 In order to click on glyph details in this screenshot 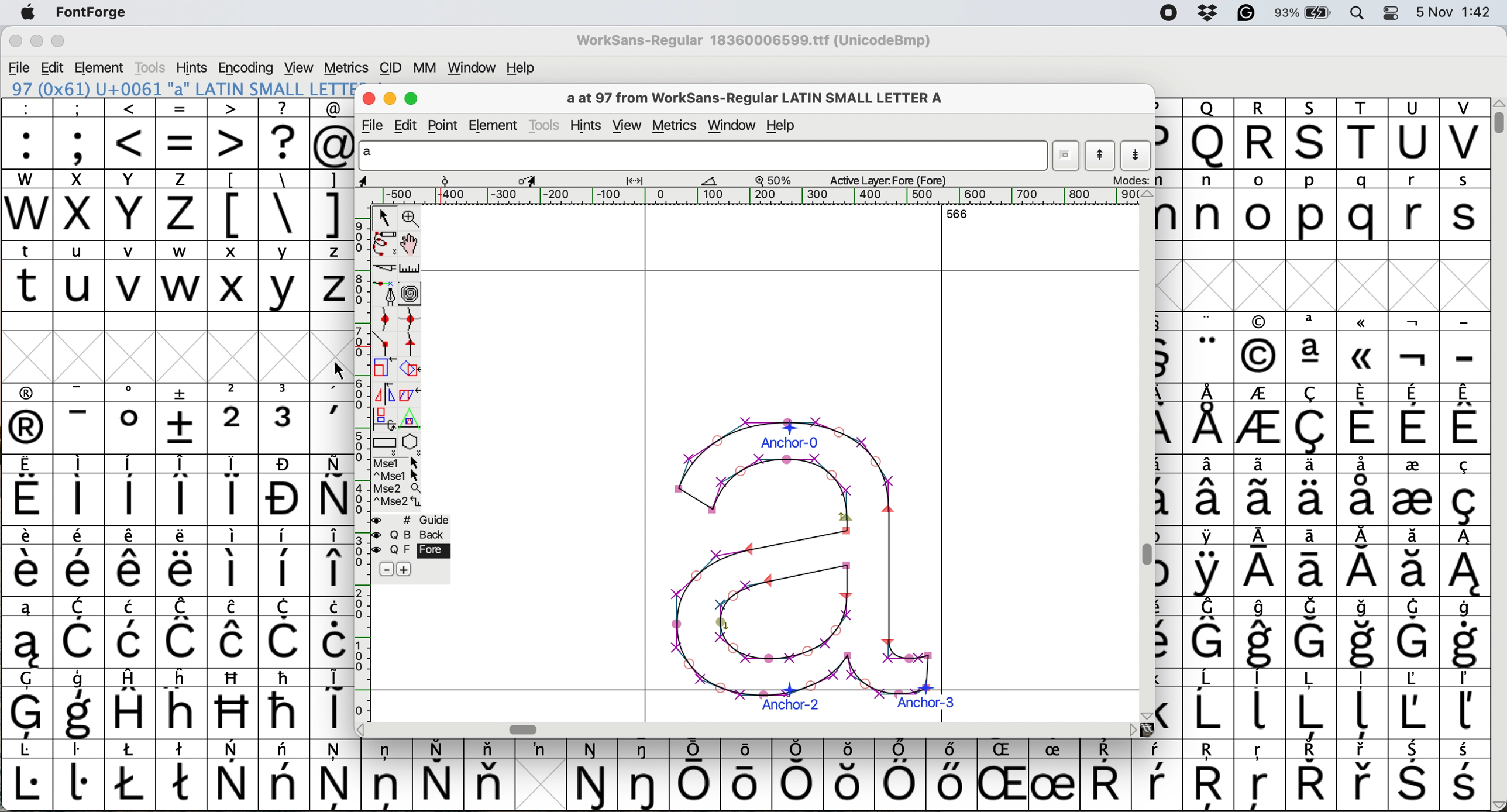, I will do `click(540, 179)`.